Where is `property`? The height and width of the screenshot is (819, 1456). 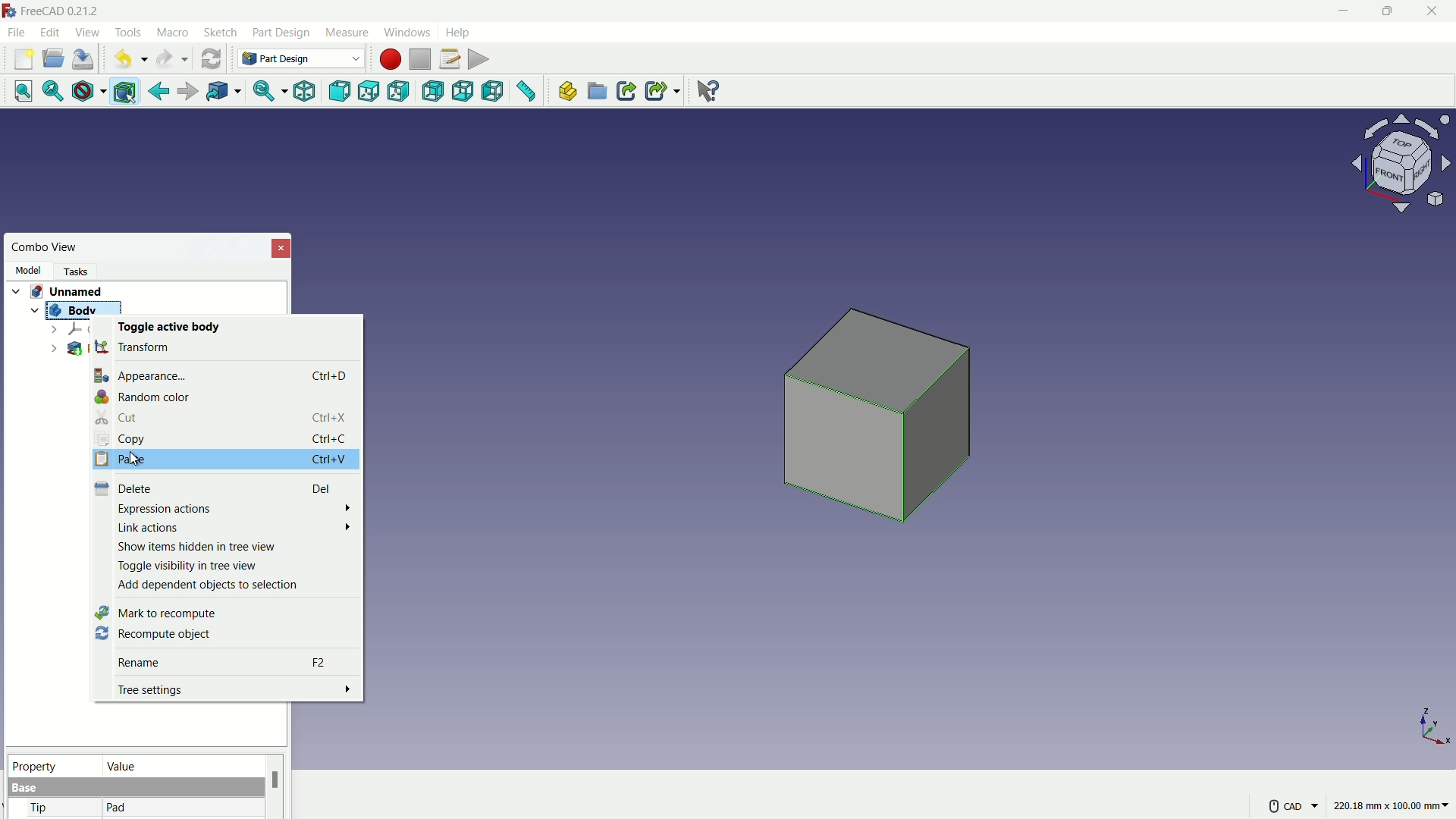
property is located at coordinates (52, 764).